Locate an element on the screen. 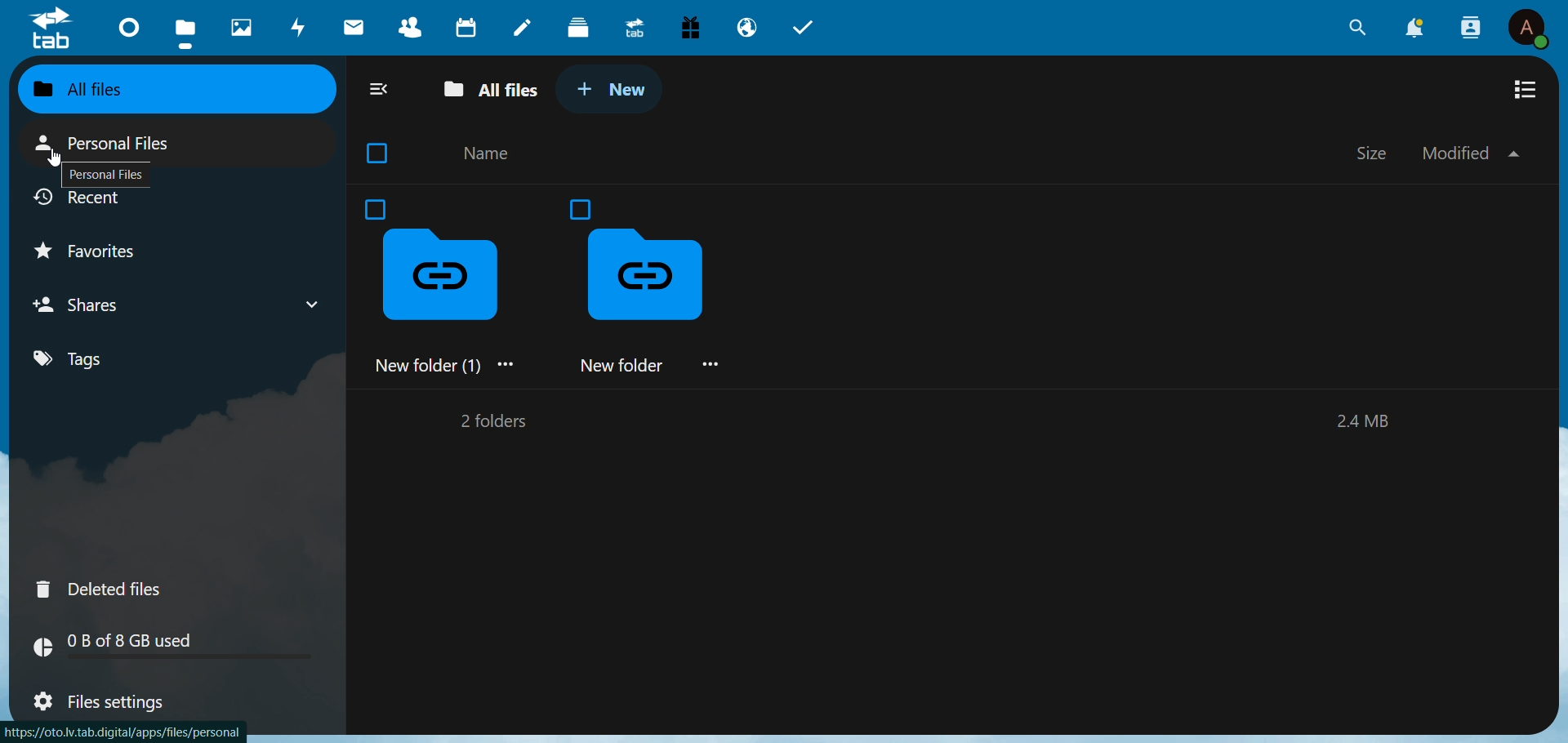 Image resolution: width=1568 pixels, height=743 pixels. name is located at coordinates (489, 154).